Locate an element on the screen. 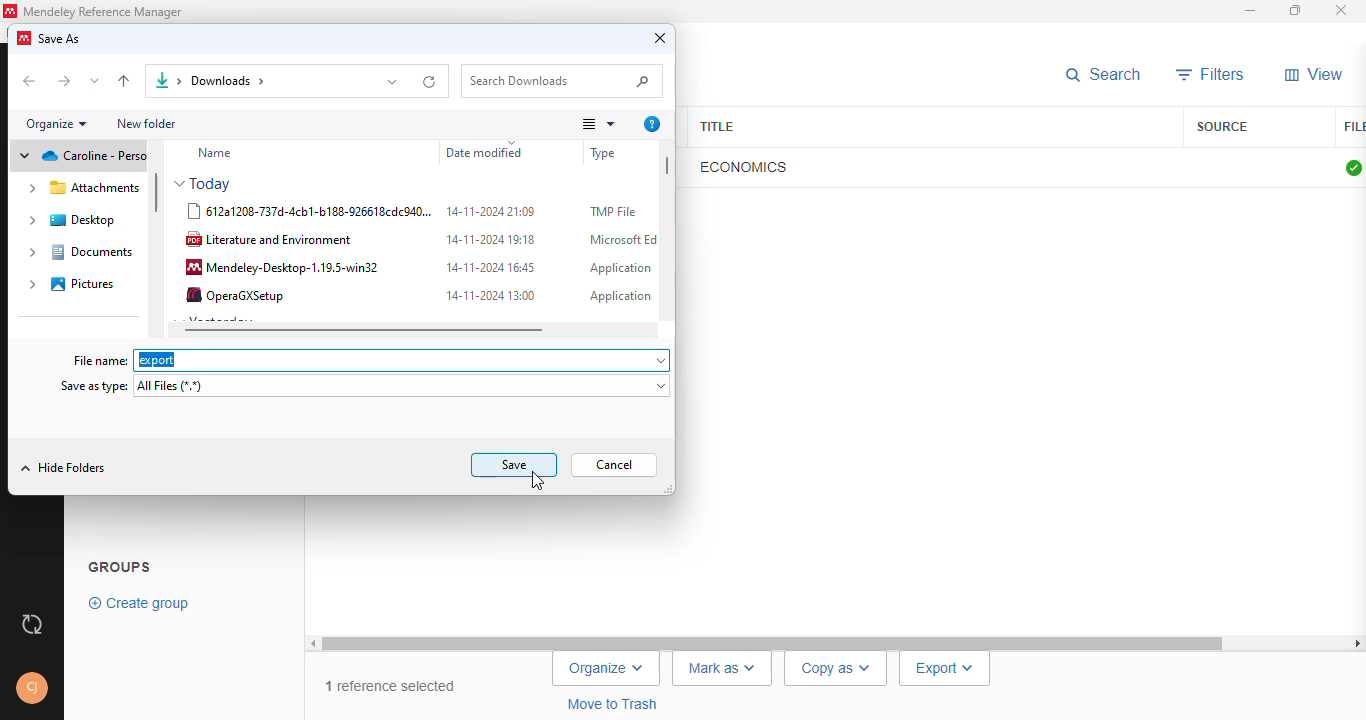 This screenshot has width=1366, height=720. save is located at coordinates (515, 465).